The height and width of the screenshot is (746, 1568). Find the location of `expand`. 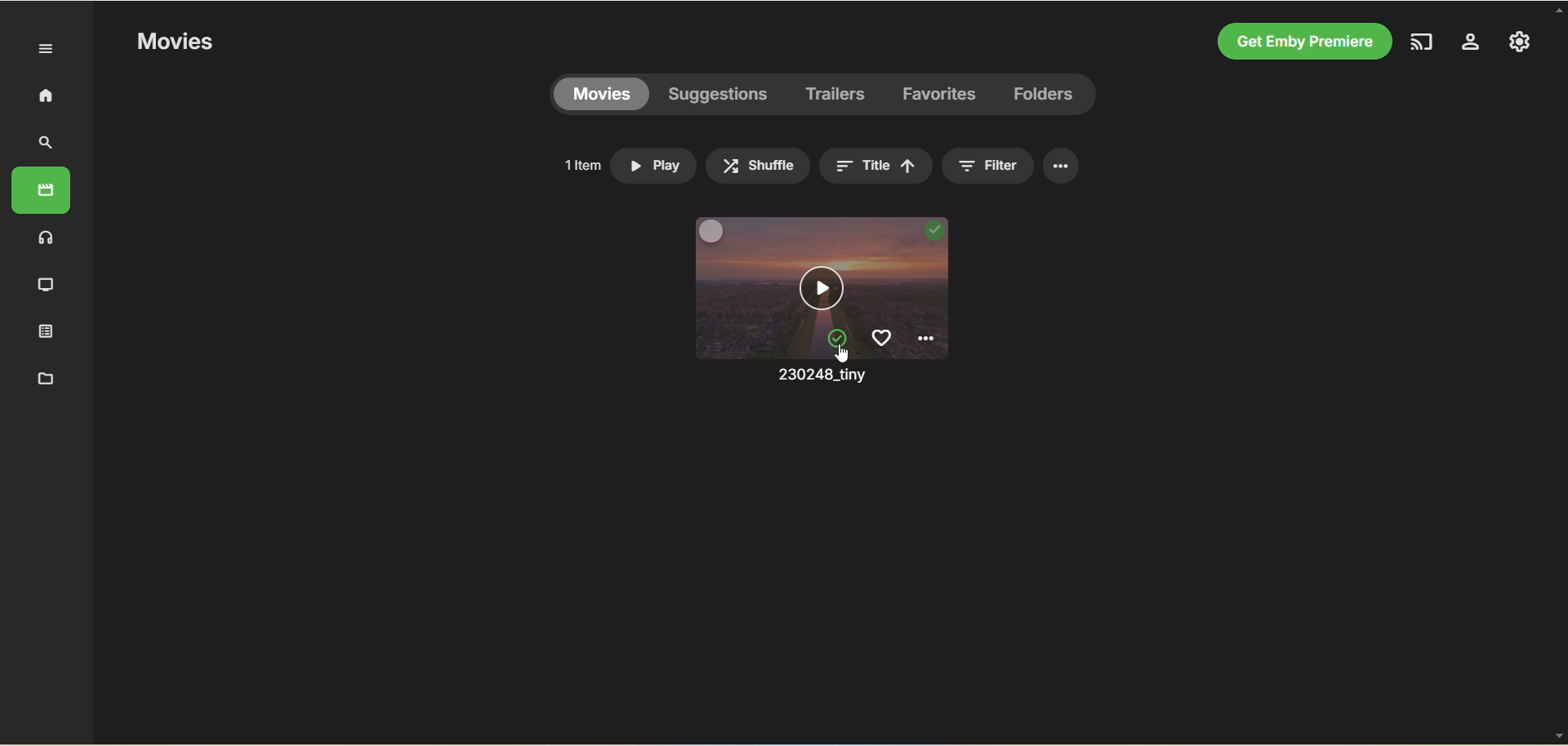

expand is located at coordinates (42, 48).